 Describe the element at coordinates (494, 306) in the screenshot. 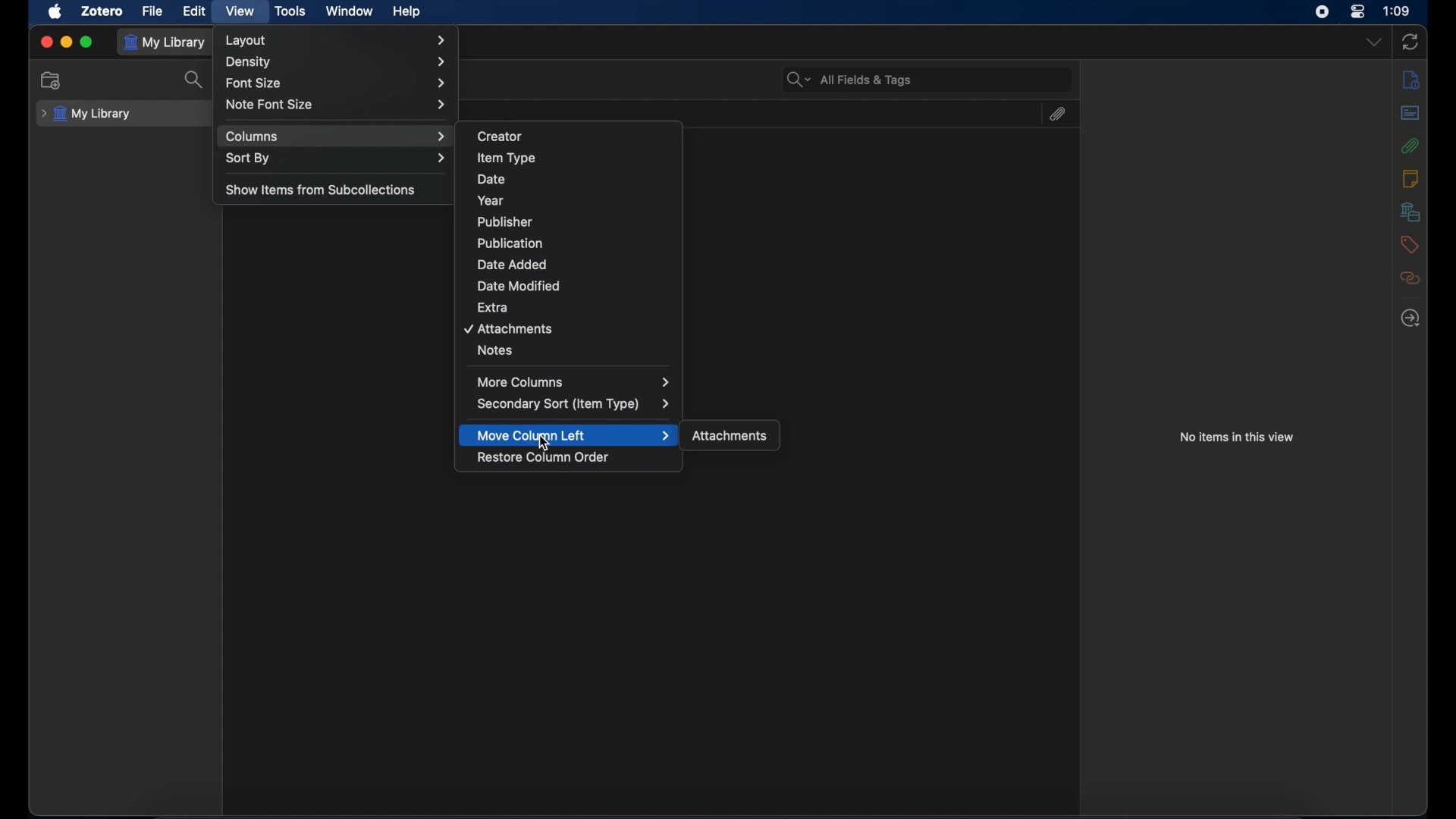

I see `extra` at that location.